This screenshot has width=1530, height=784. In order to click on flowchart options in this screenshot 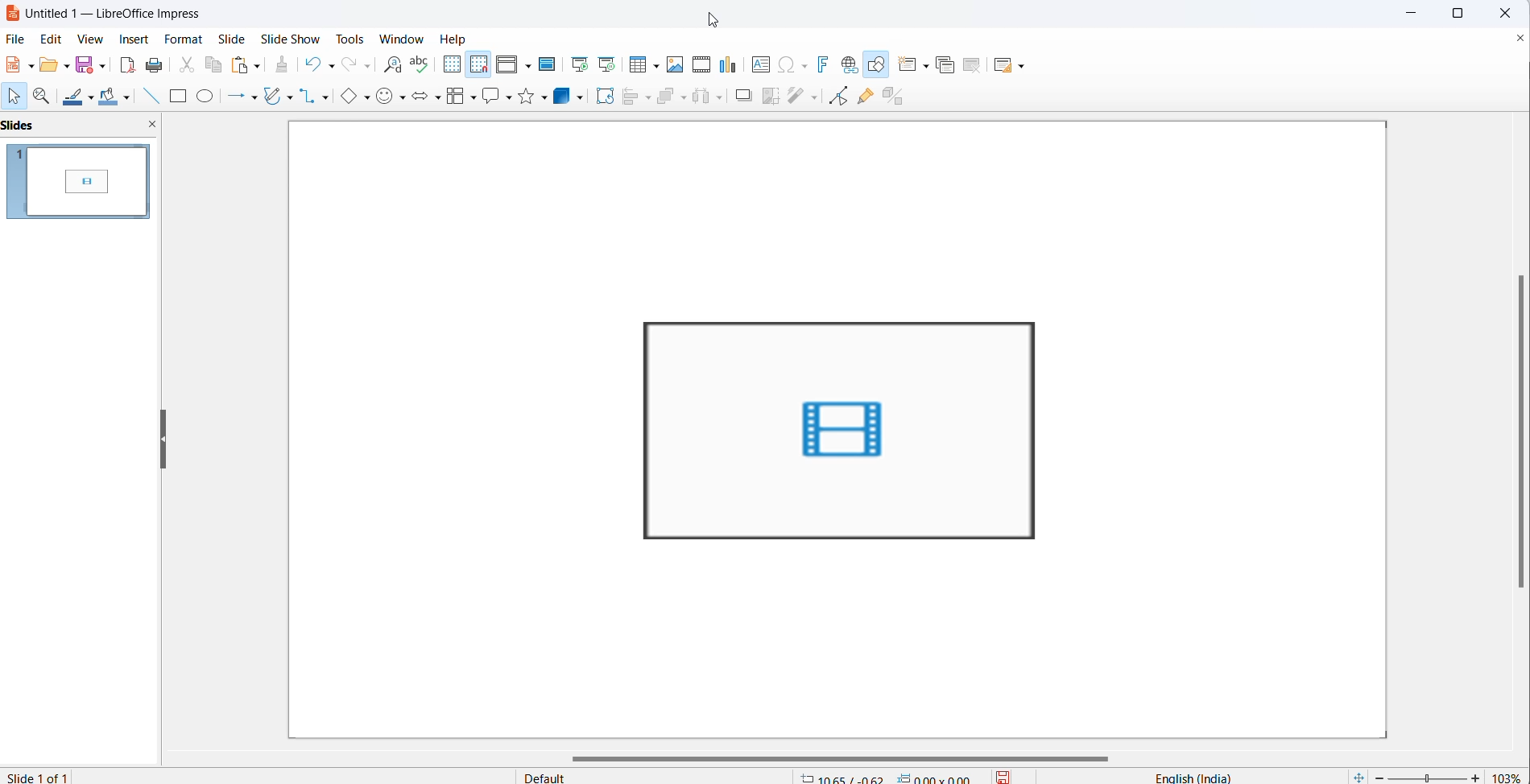, I will do `click(473, 98)`.